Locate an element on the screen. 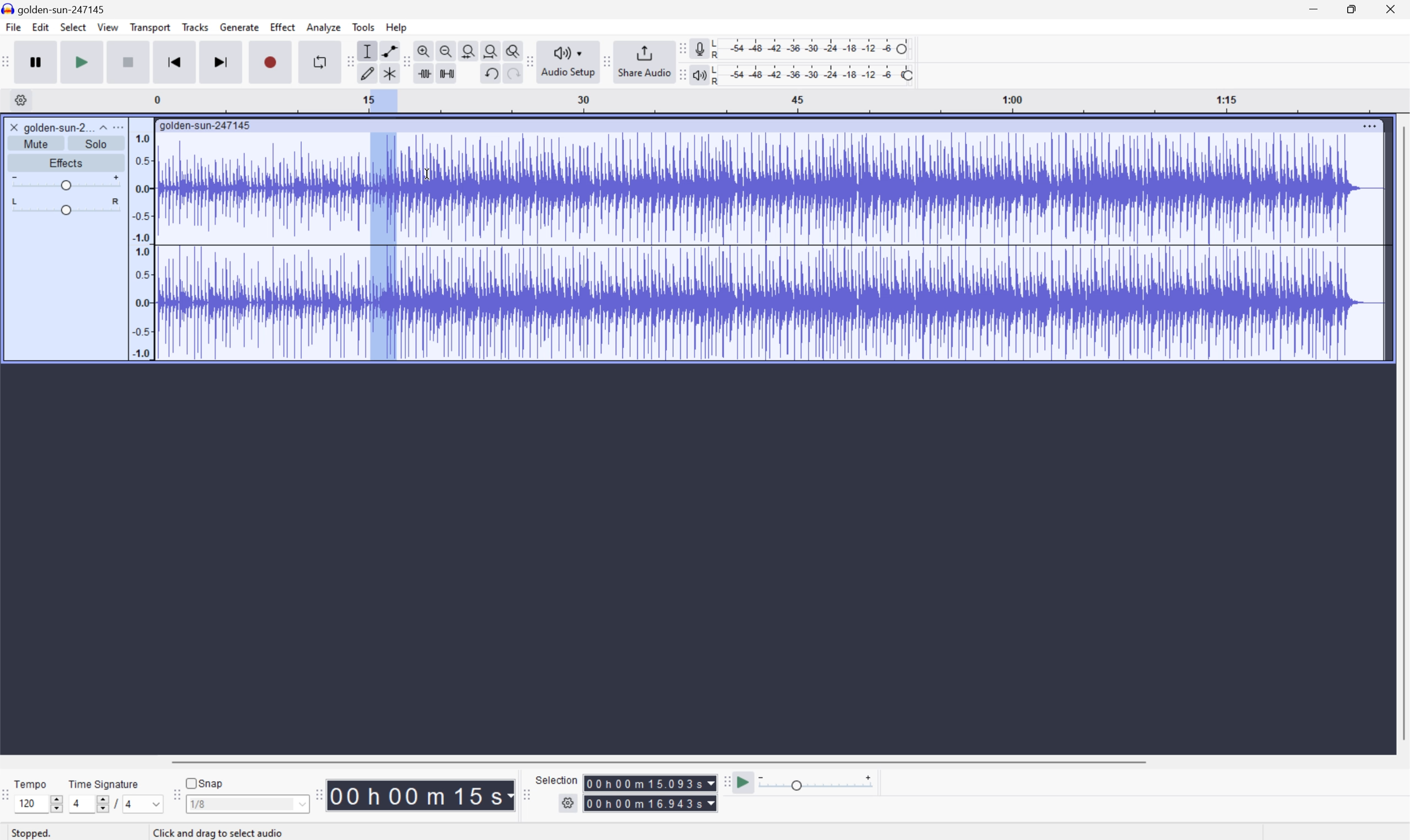 The height and width of the screenshot is (840, 1410). Audacity Time toolbar is located at coordinates (315, 792).